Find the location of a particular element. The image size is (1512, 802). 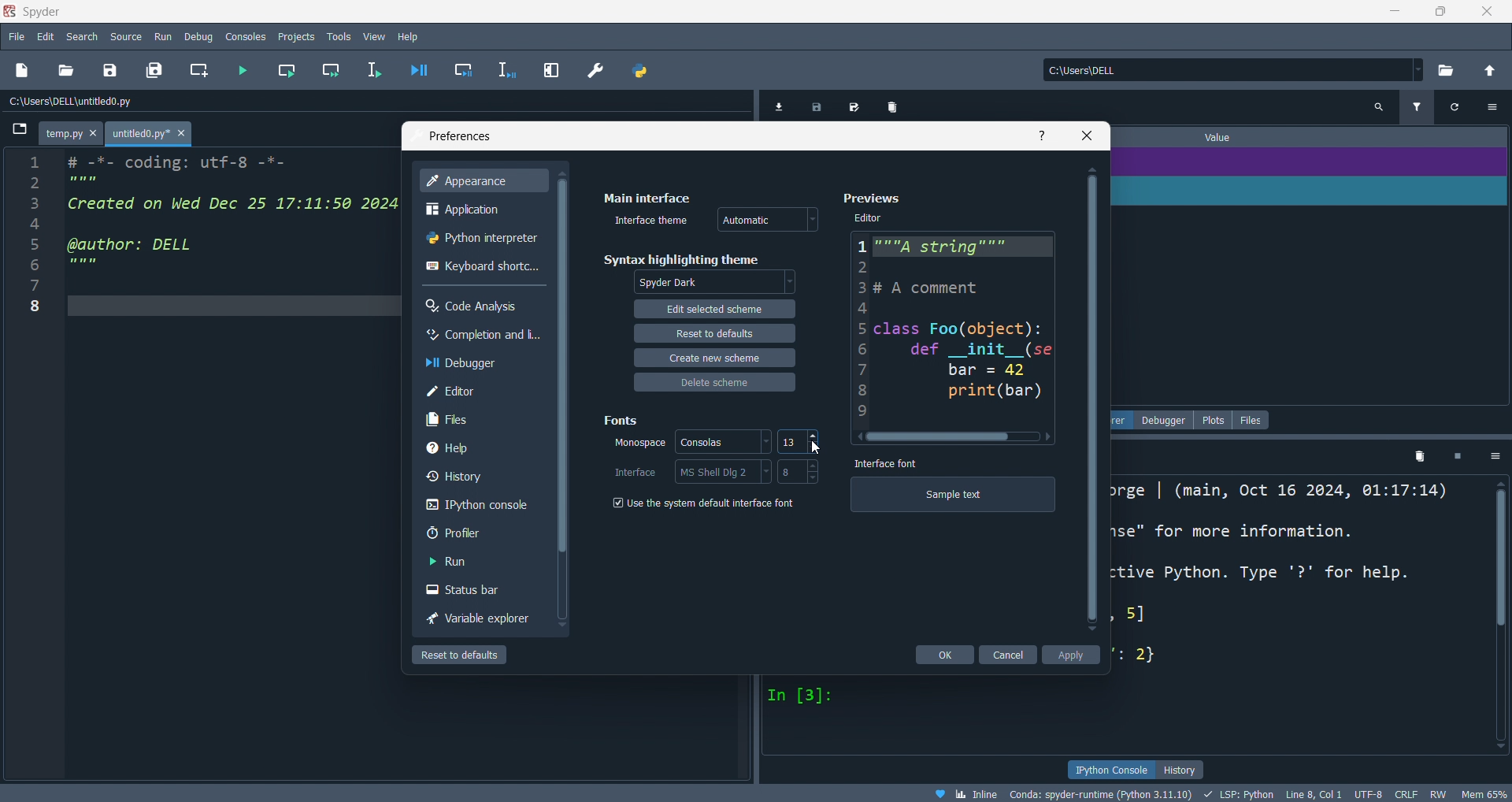

Previews
Editor
1 ANSE gia
2
3 # A comment
4
5 class Foo(object):
[3 def __init__ (se
7 bar = 42
8 print(bar)
9
EE i is located at coordinates (939, 310).